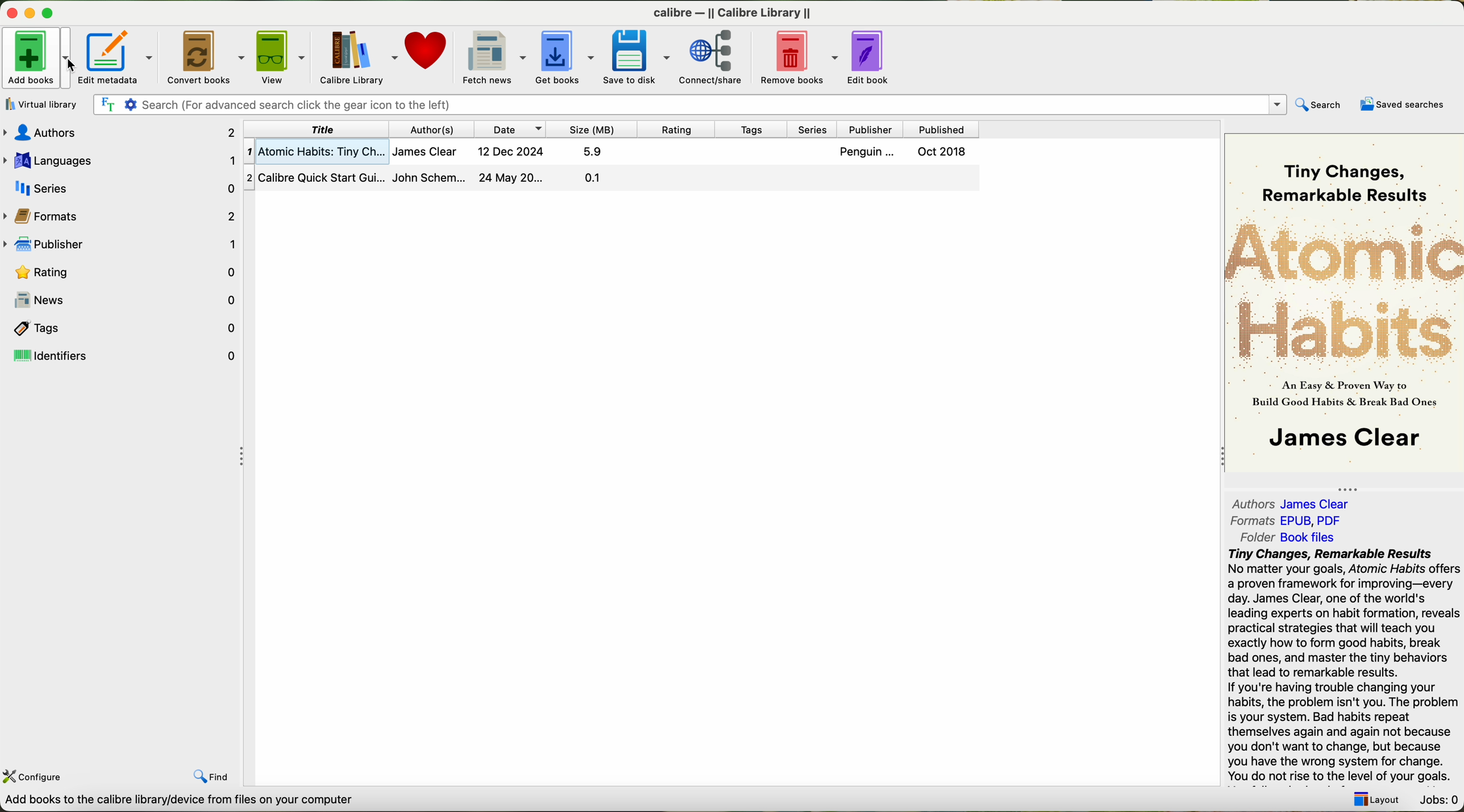 The image size is (1464, 812). Describe the element at coordinates (119, 188) in the screenshot. I see `series` at that location.